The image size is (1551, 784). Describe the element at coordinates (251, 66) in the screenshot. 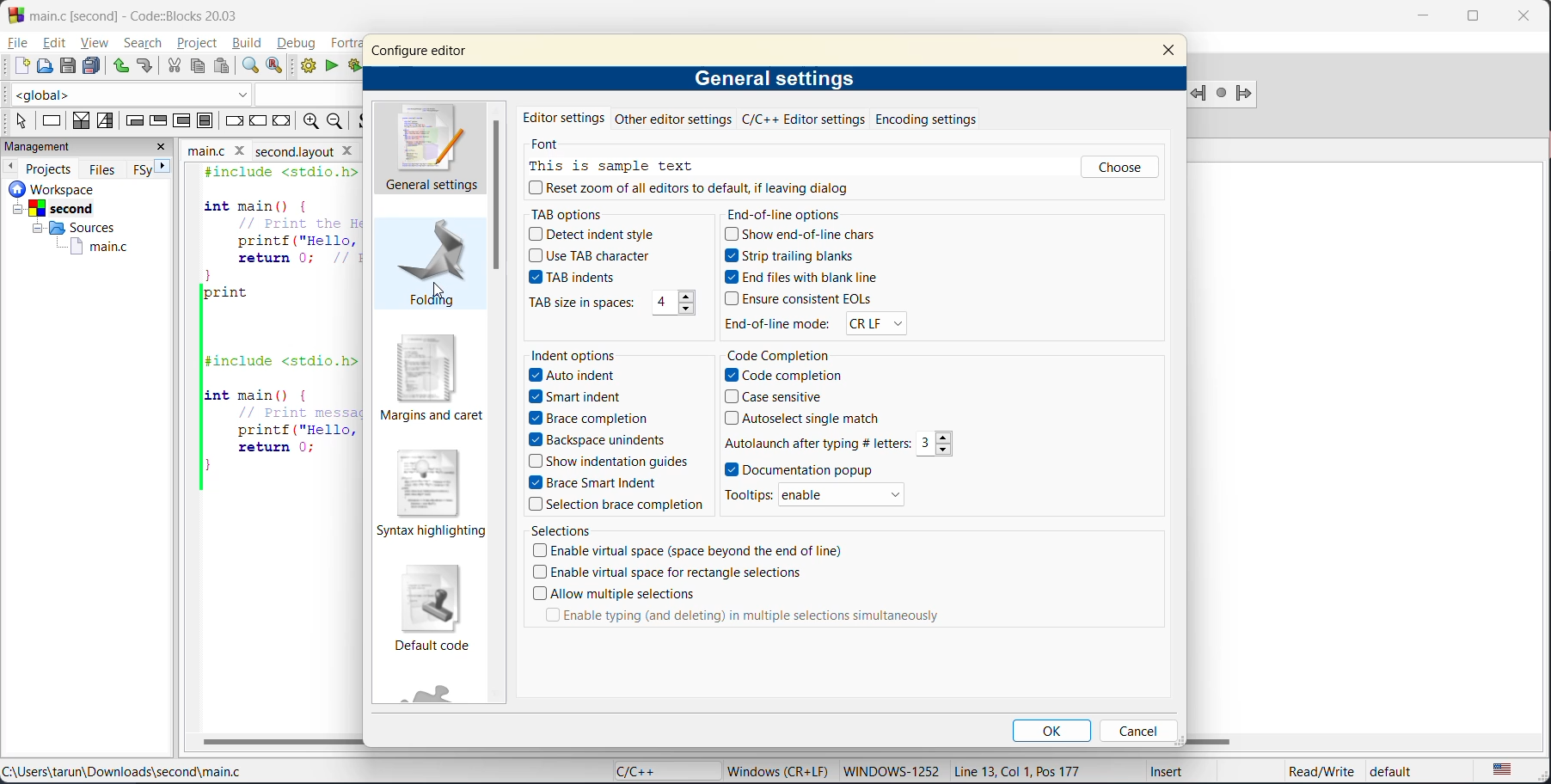

I see `find` at that location.